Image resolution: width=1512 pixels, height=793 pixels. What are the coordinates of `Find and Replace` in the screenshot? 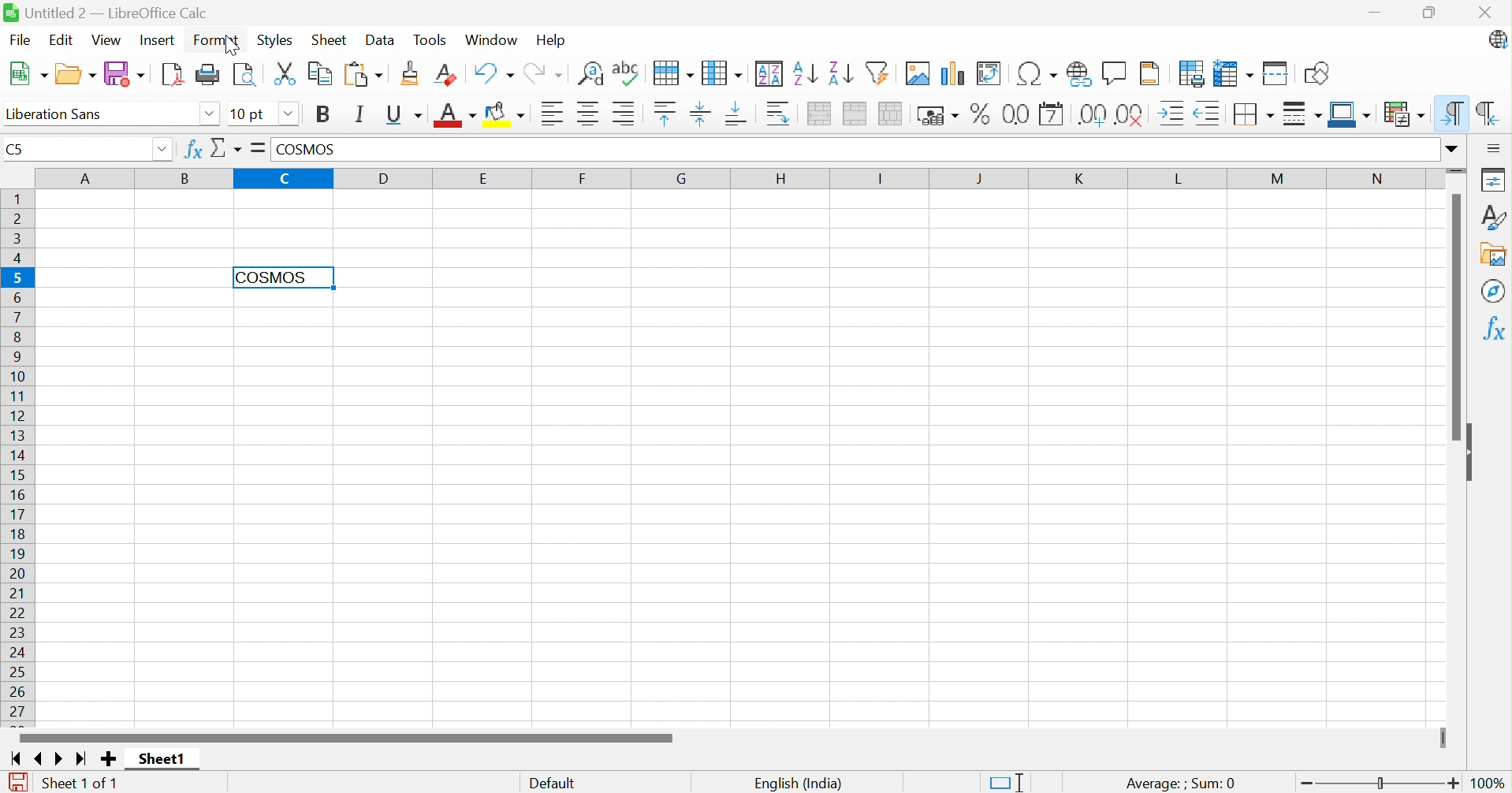 It's located at (590, 71).